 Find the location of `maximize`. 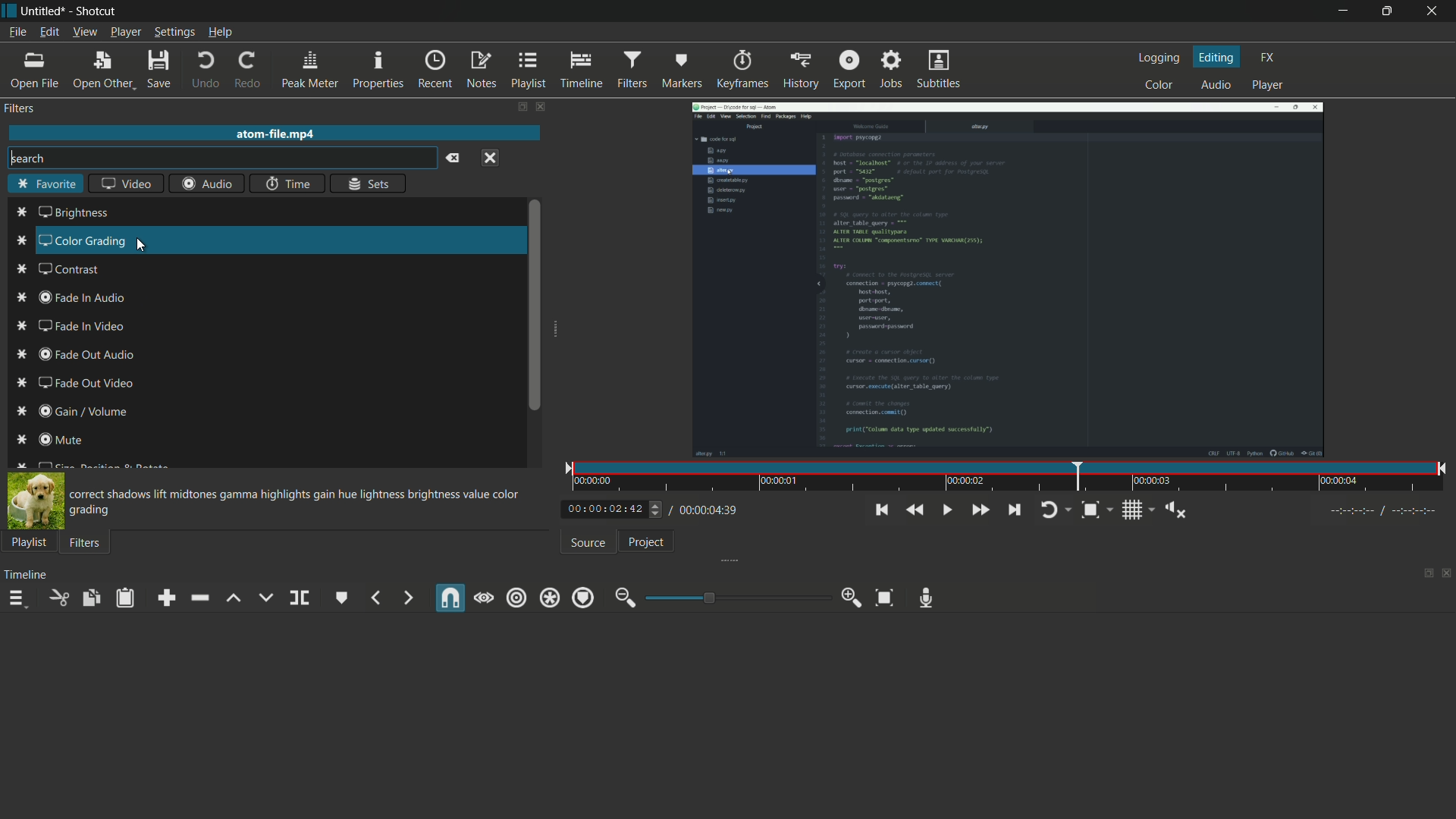

maximize is located at coordinates (1385, 11).